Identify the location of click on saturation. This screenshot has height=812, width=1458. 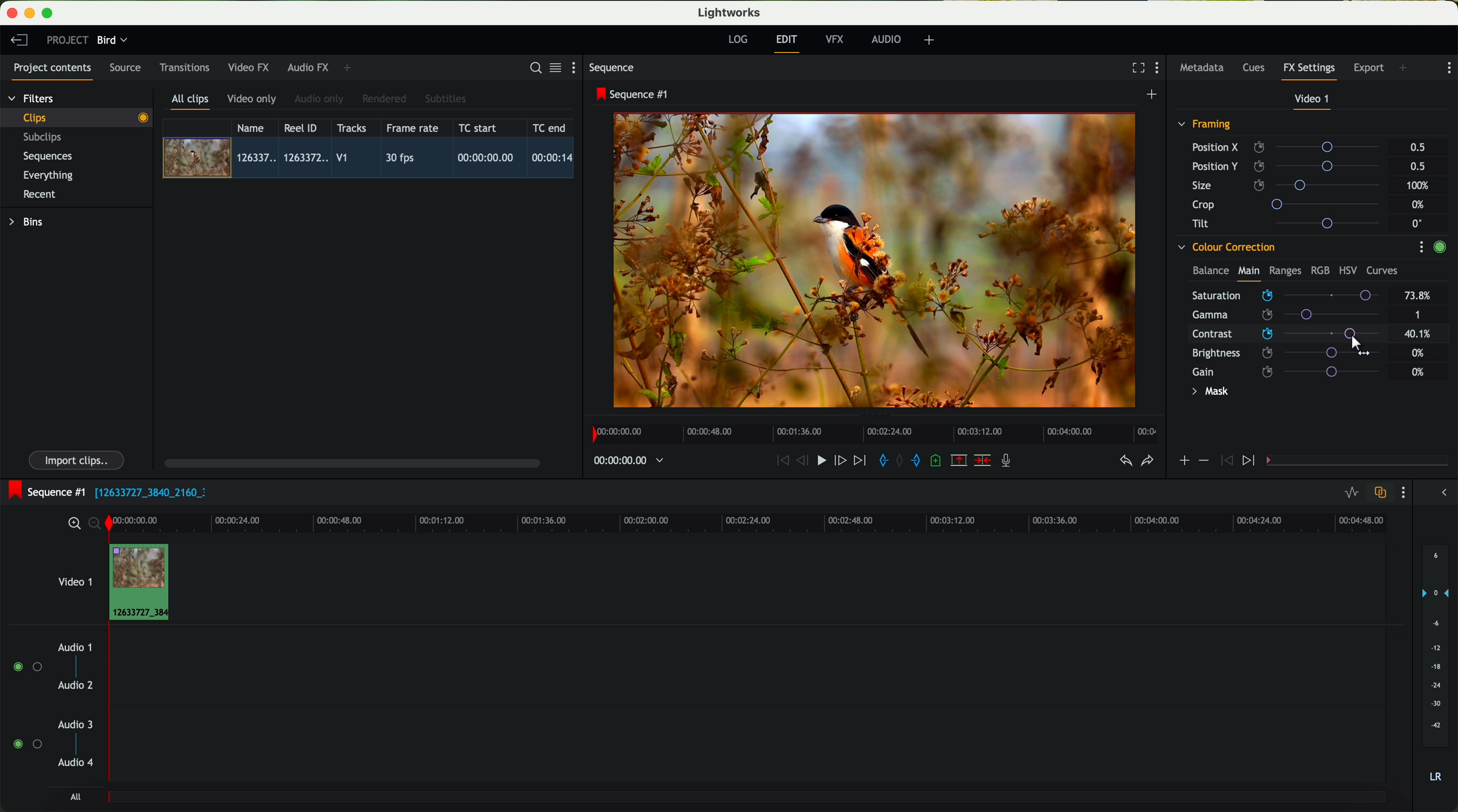
(1280, 316).